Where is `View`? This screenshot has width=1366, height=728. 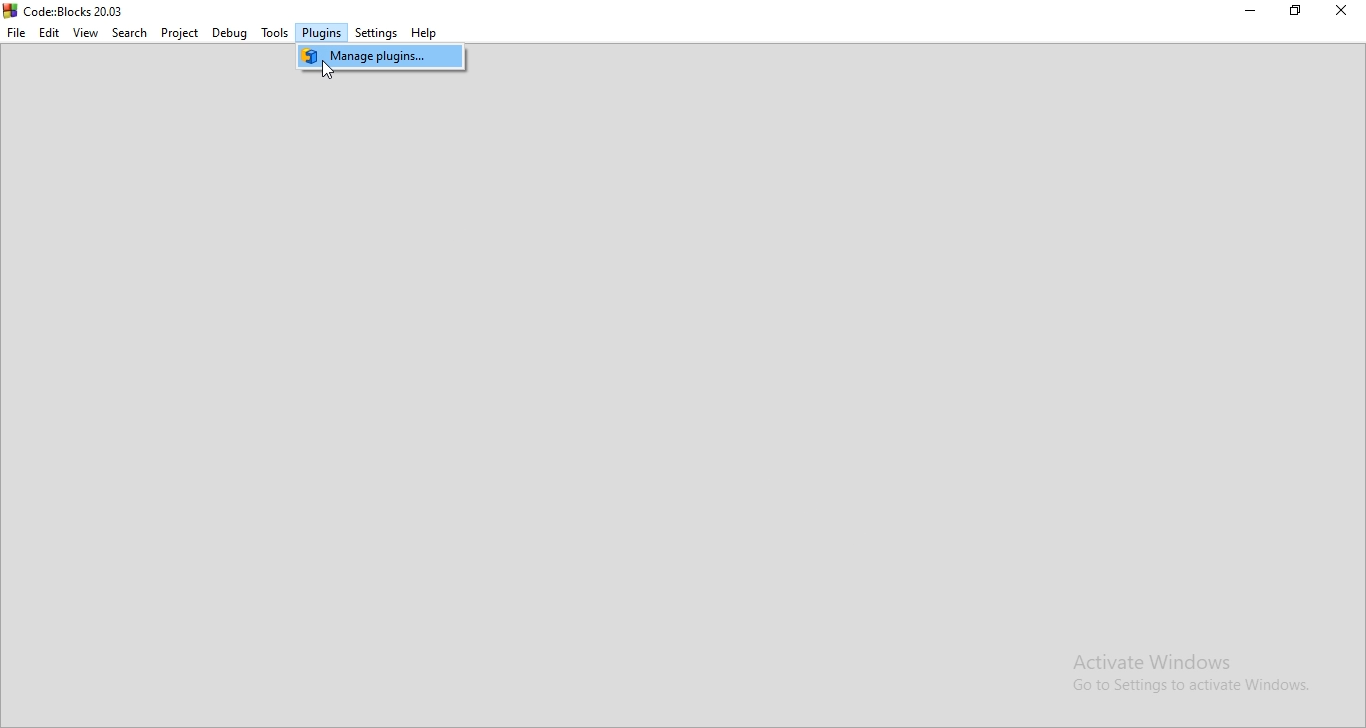
View is located at coordinates (85, 33).